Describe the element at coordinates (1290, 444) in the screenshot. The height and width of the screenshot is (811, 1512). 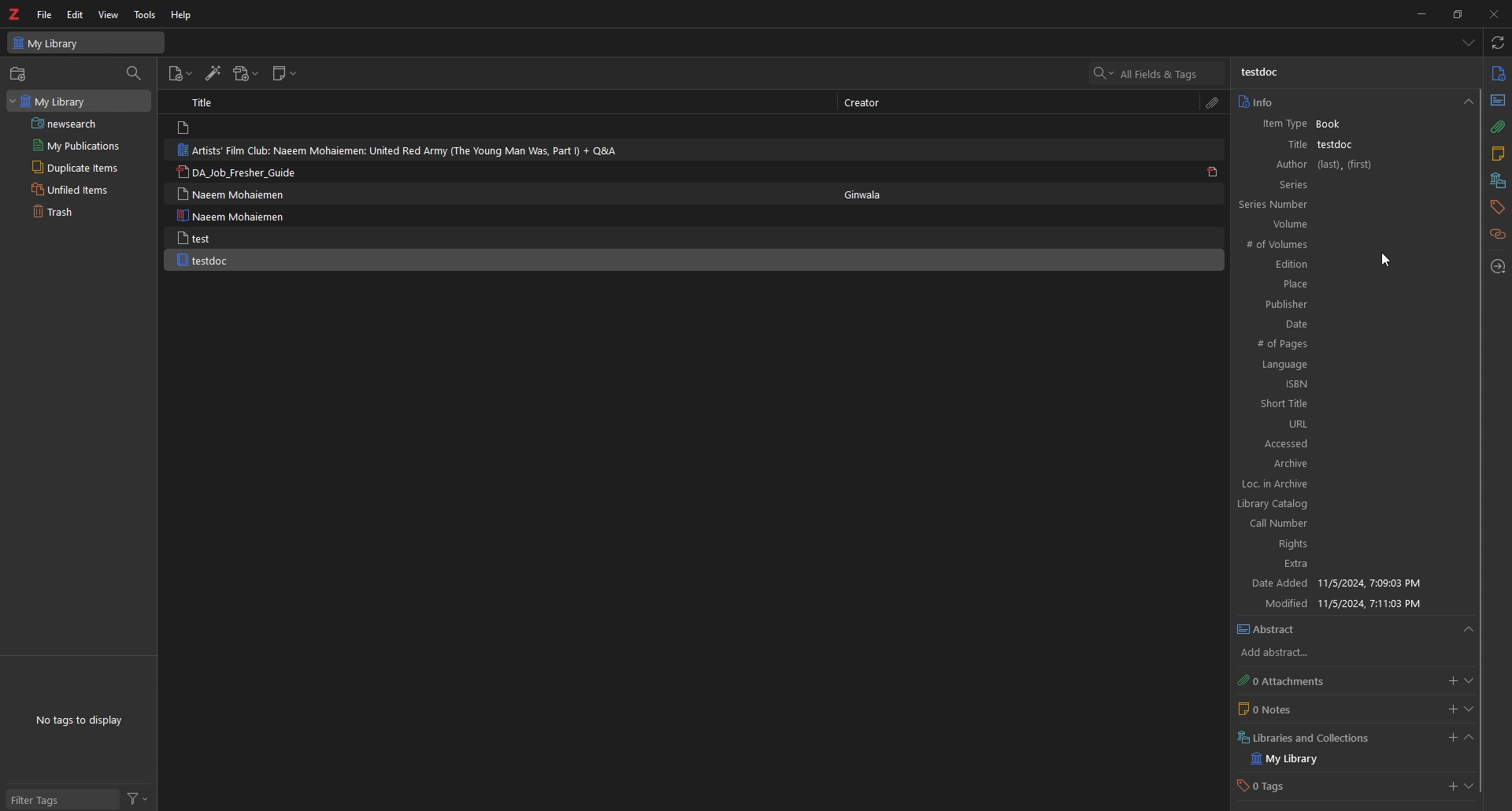
I see `Accessed` at that location.